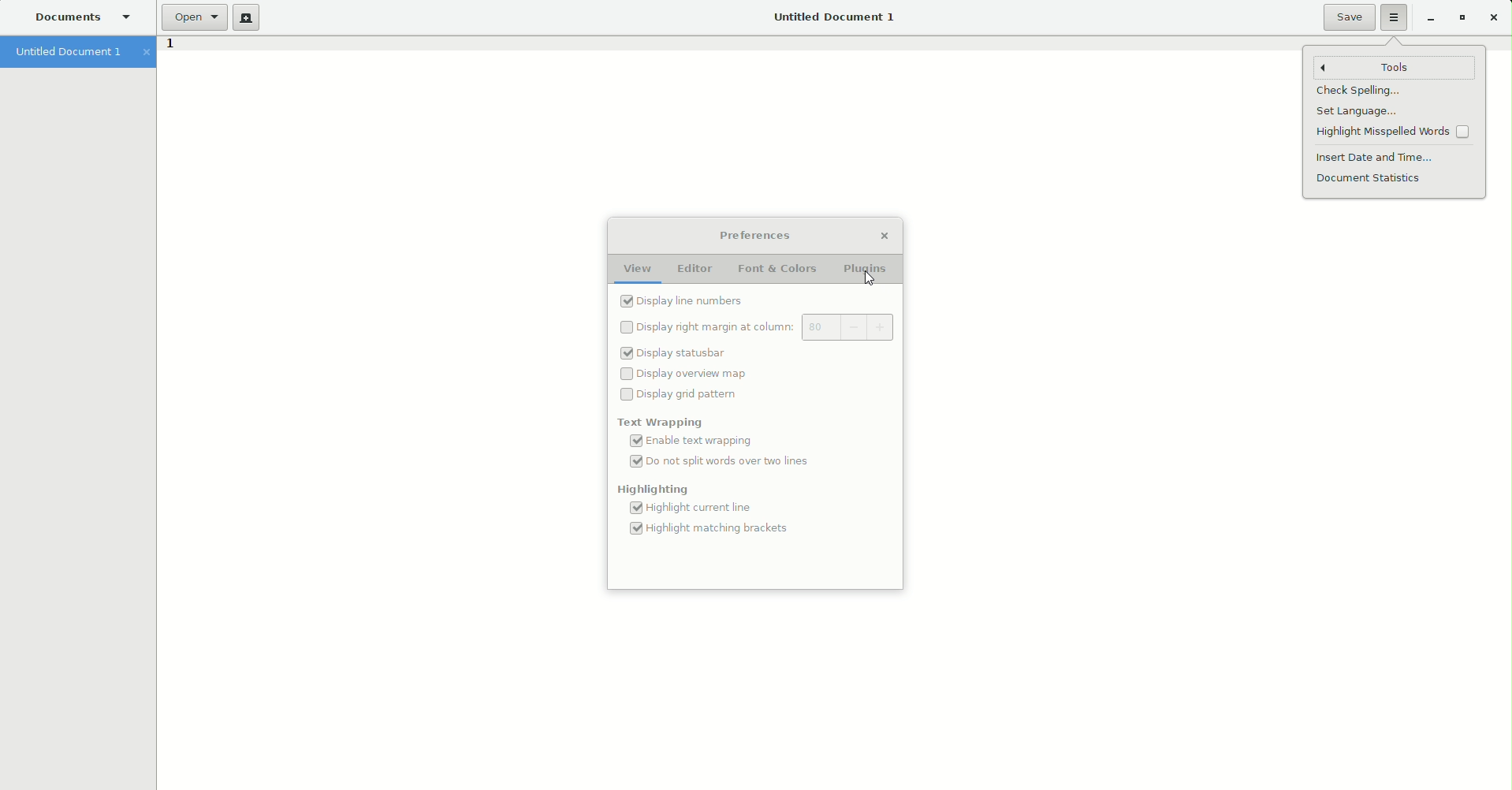  What do you see at coordinates (655, 491) in the screenshot?
I see `Highlighting` at bounding box center [655, 491].